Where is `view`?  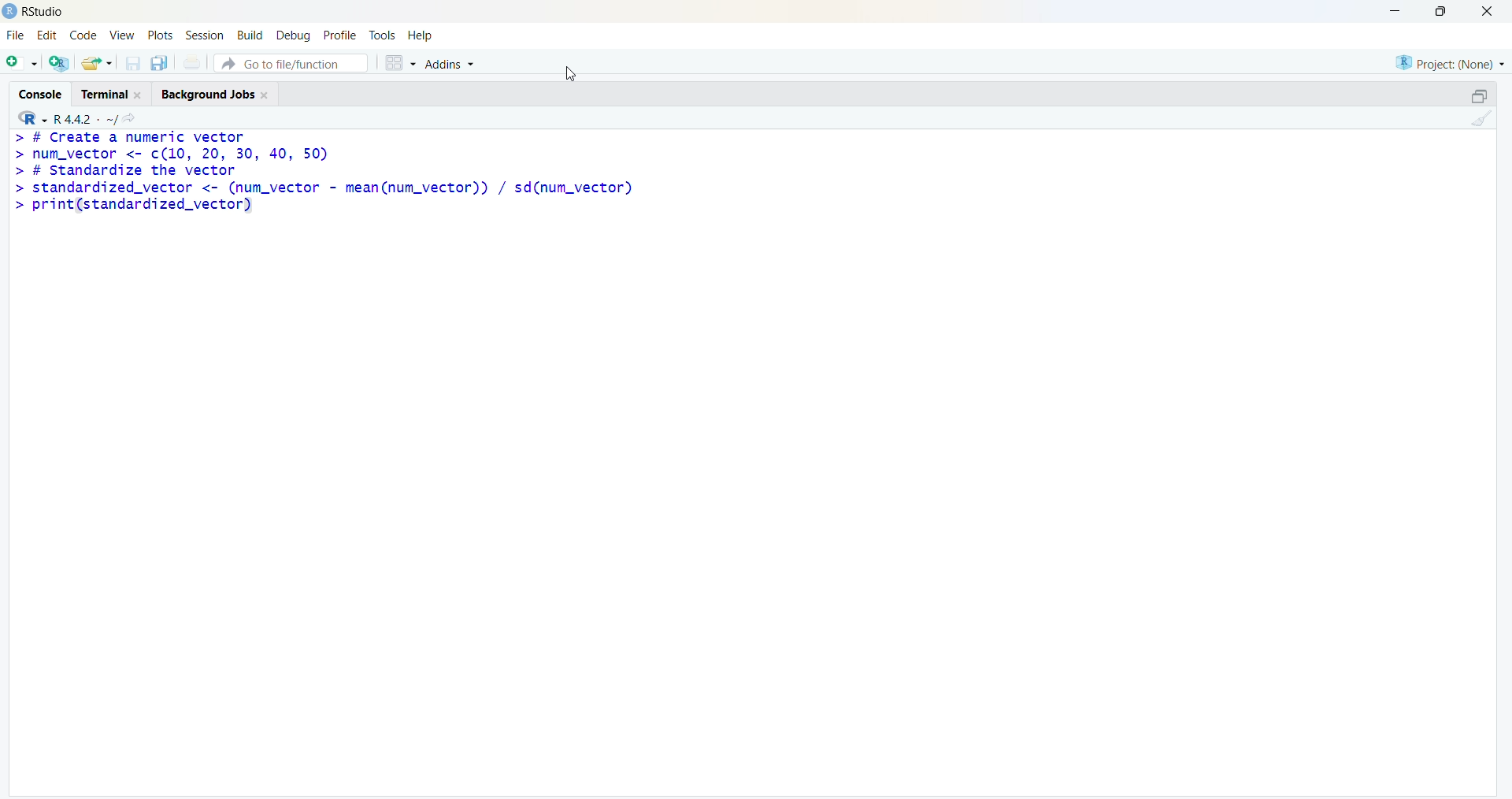
view is located at coordinates (122, 35).